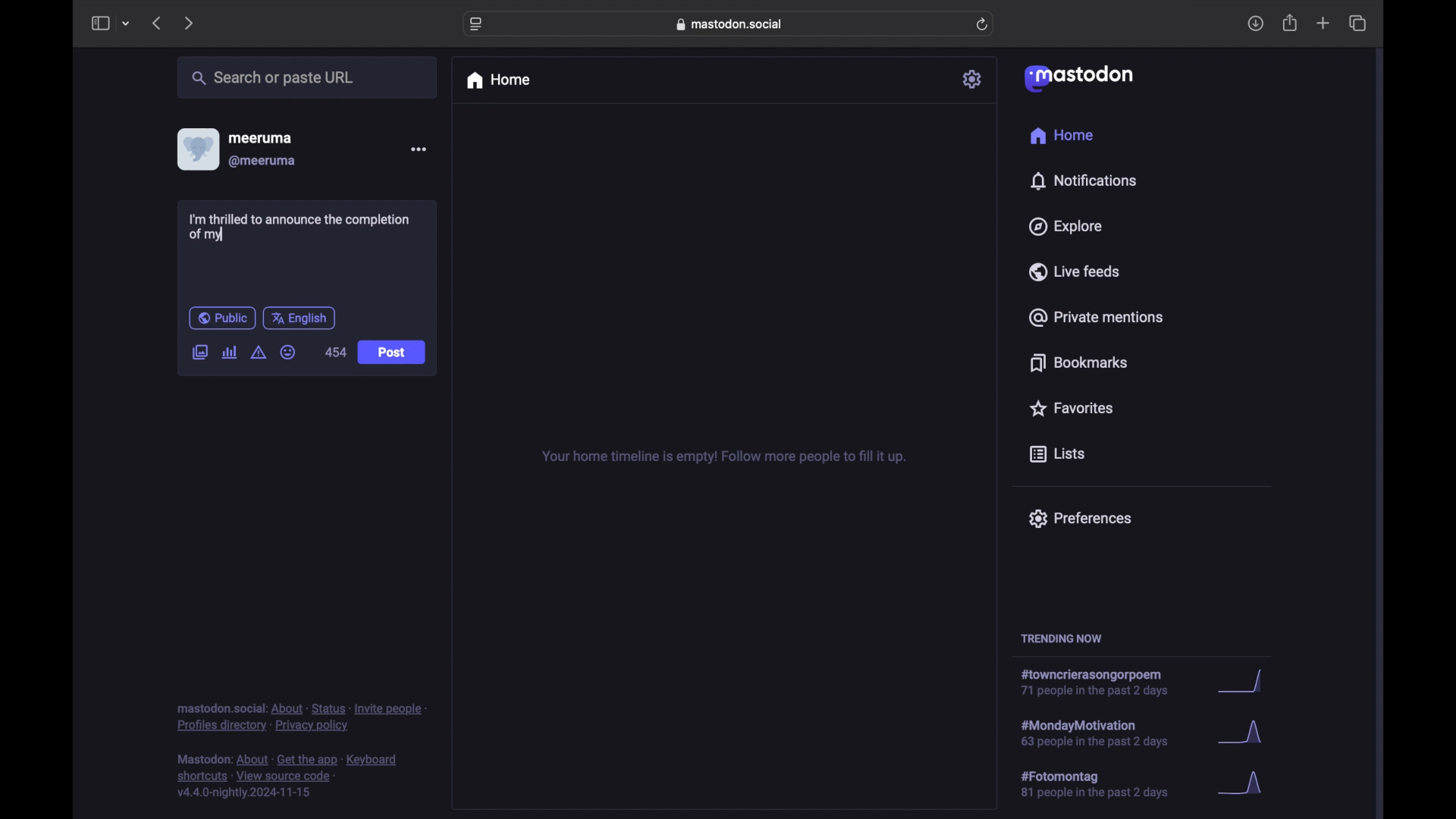 Image resolution: width=1456 pixels, height=819 pixels. I want to click on downloads, so click(1255, 24).